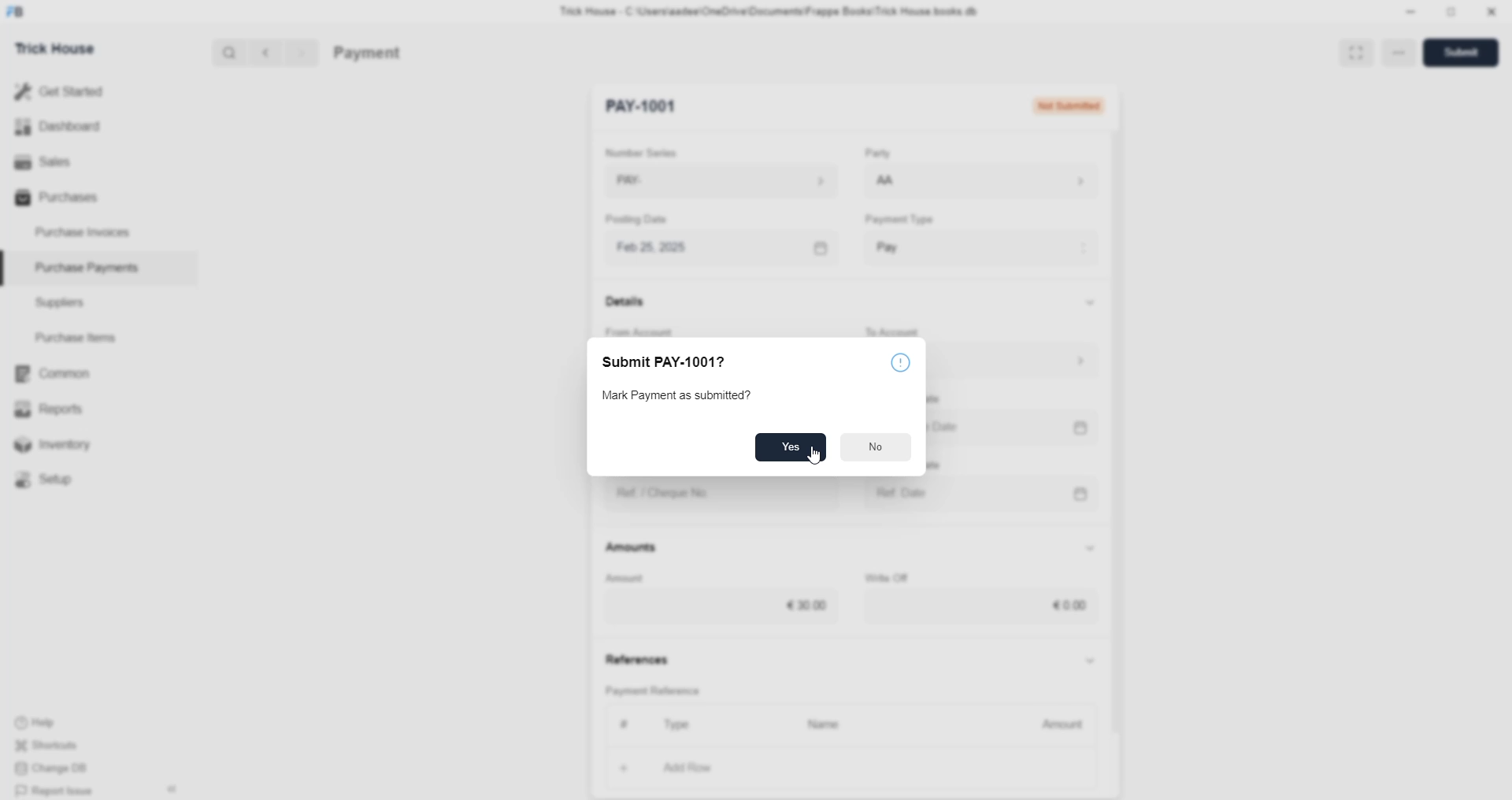  Describe the element at coordinates (876, 450) in the screenshot. I see `No` at that location.